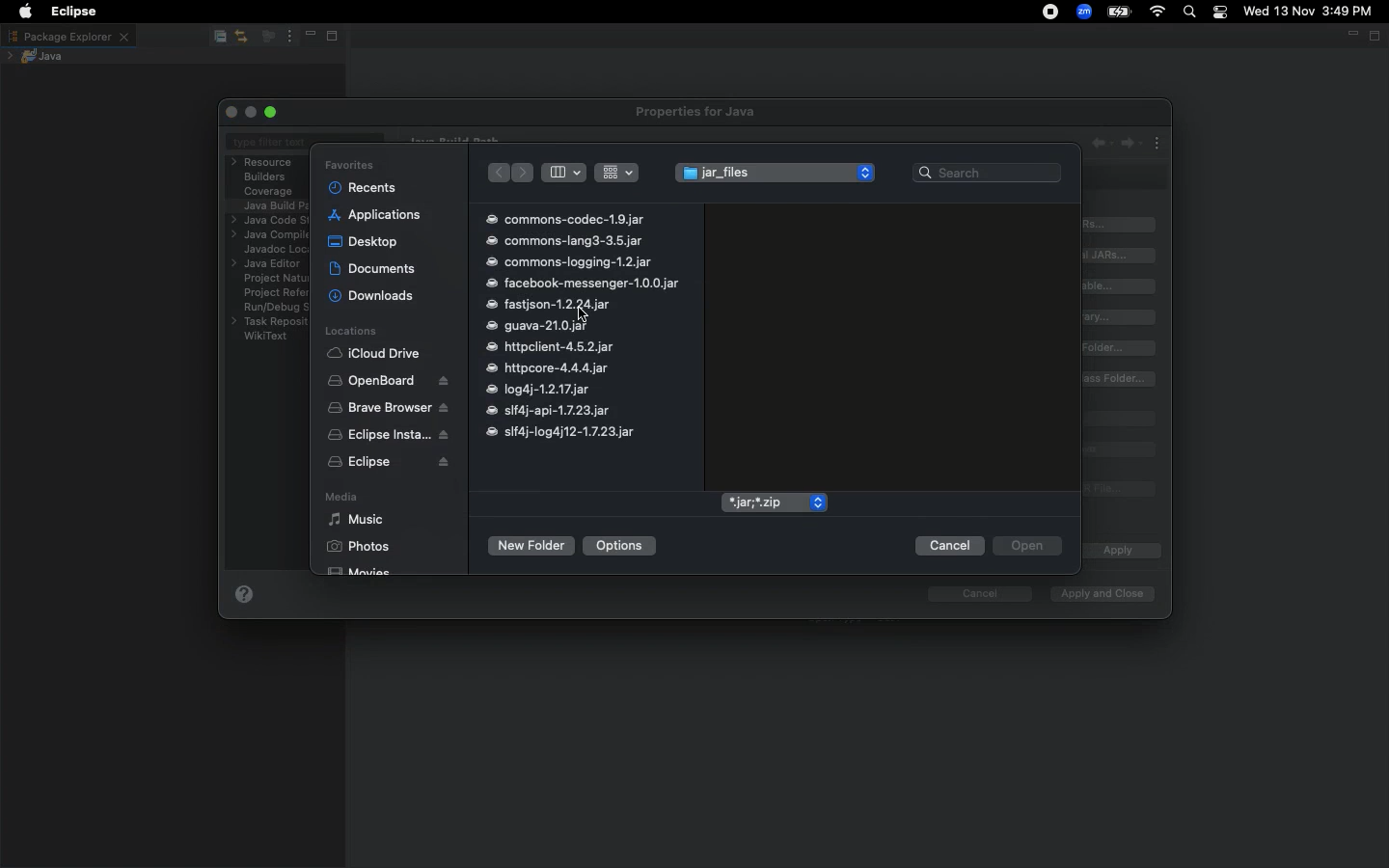 The height and width of the screenshot is (868, 1389). Describe the element at coordinates (372, 296) in the screenshot. I see `Downloads` at that location.